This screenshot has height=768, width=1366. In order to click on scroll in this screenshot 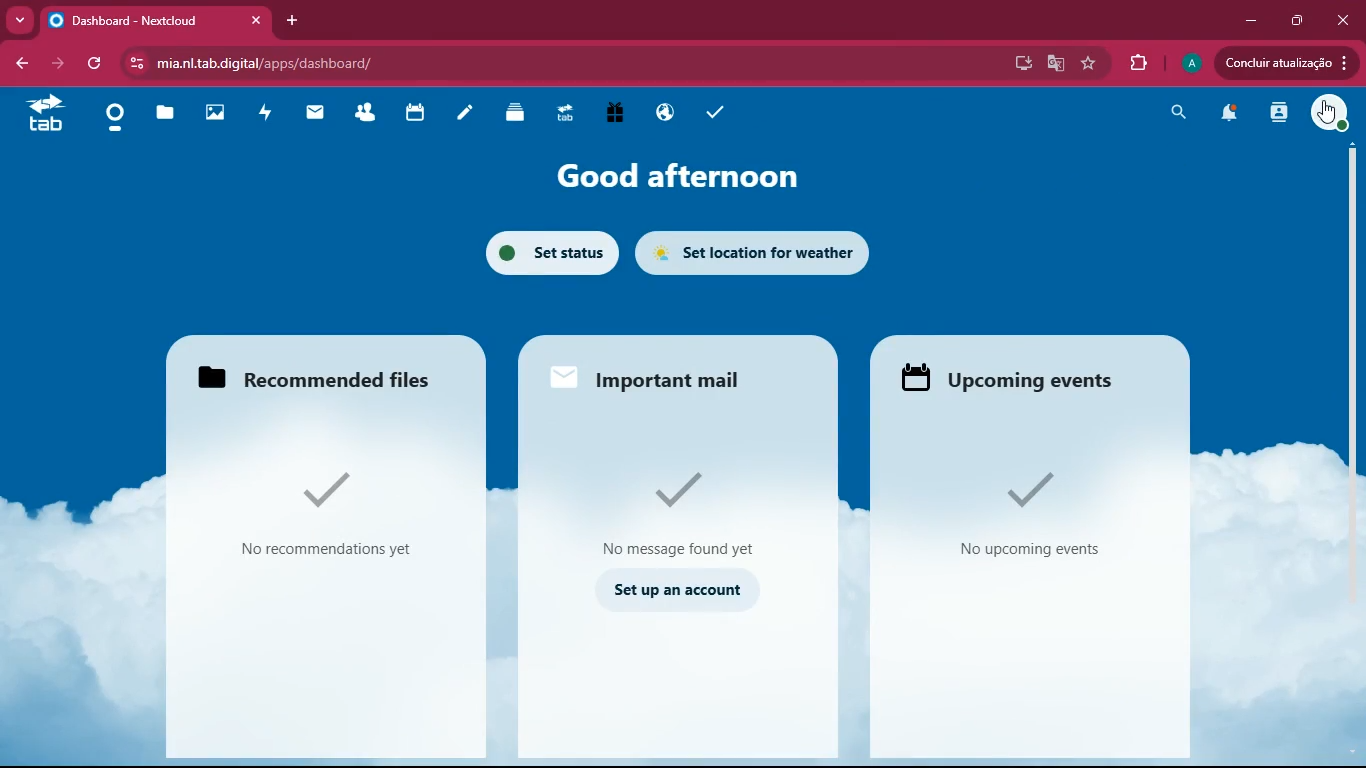, I will do `click(1352, 328)`.